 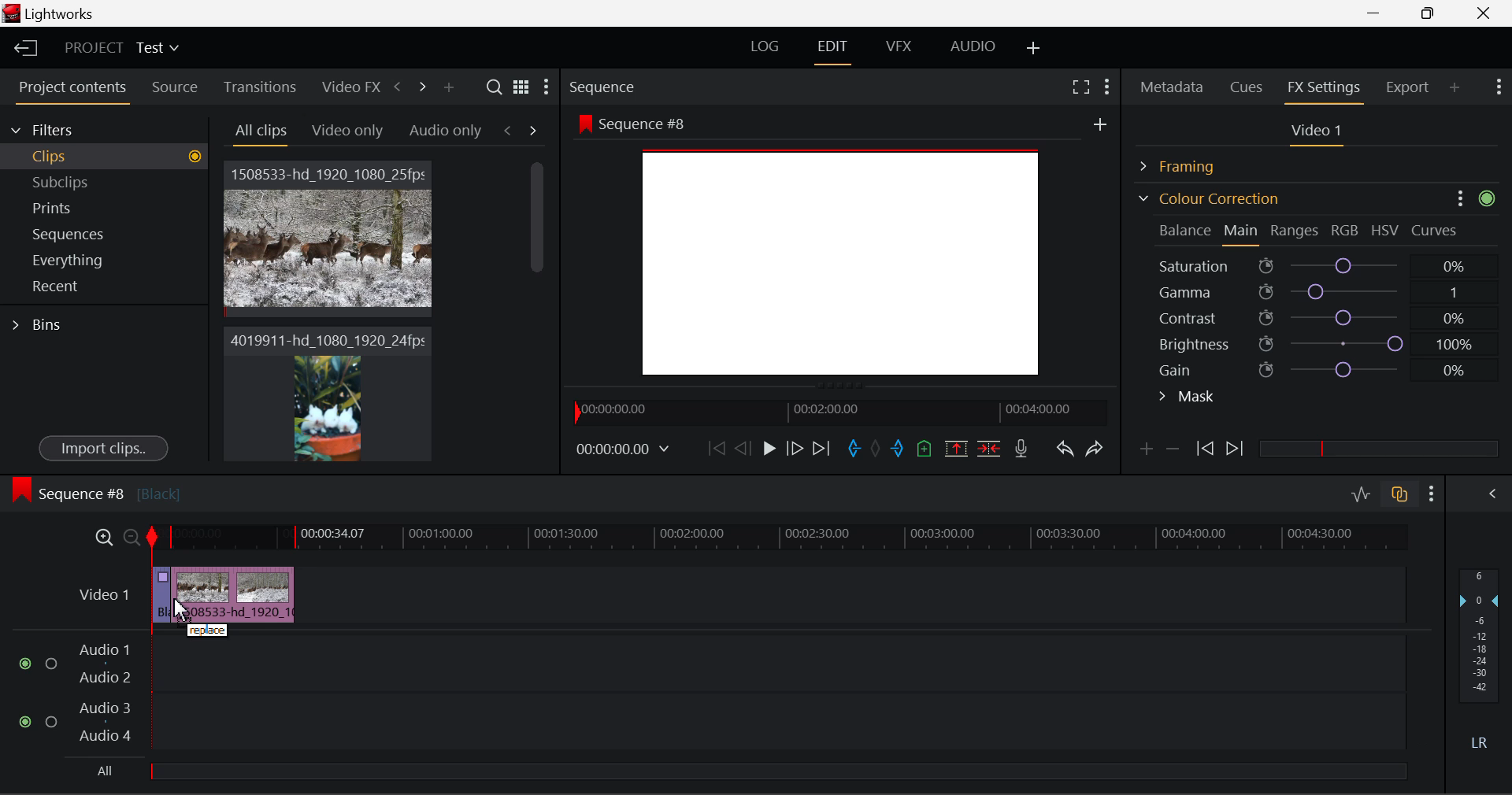 I want to click on Video 1 Settings, so click(x=1319, y=134).